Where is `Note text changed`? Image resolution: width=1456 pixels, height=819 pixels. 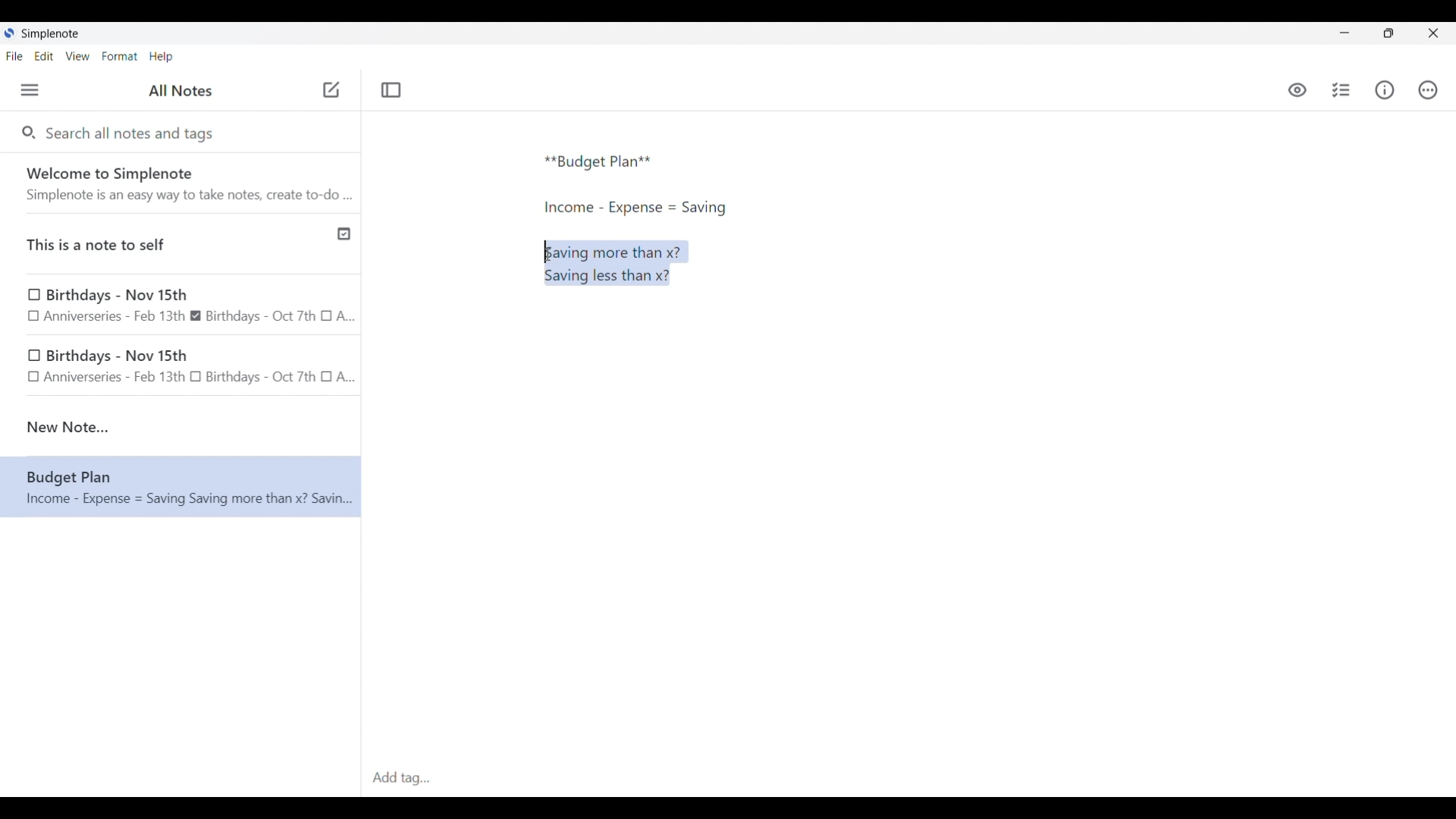
Note text changed is located at coordinates (180, 487).